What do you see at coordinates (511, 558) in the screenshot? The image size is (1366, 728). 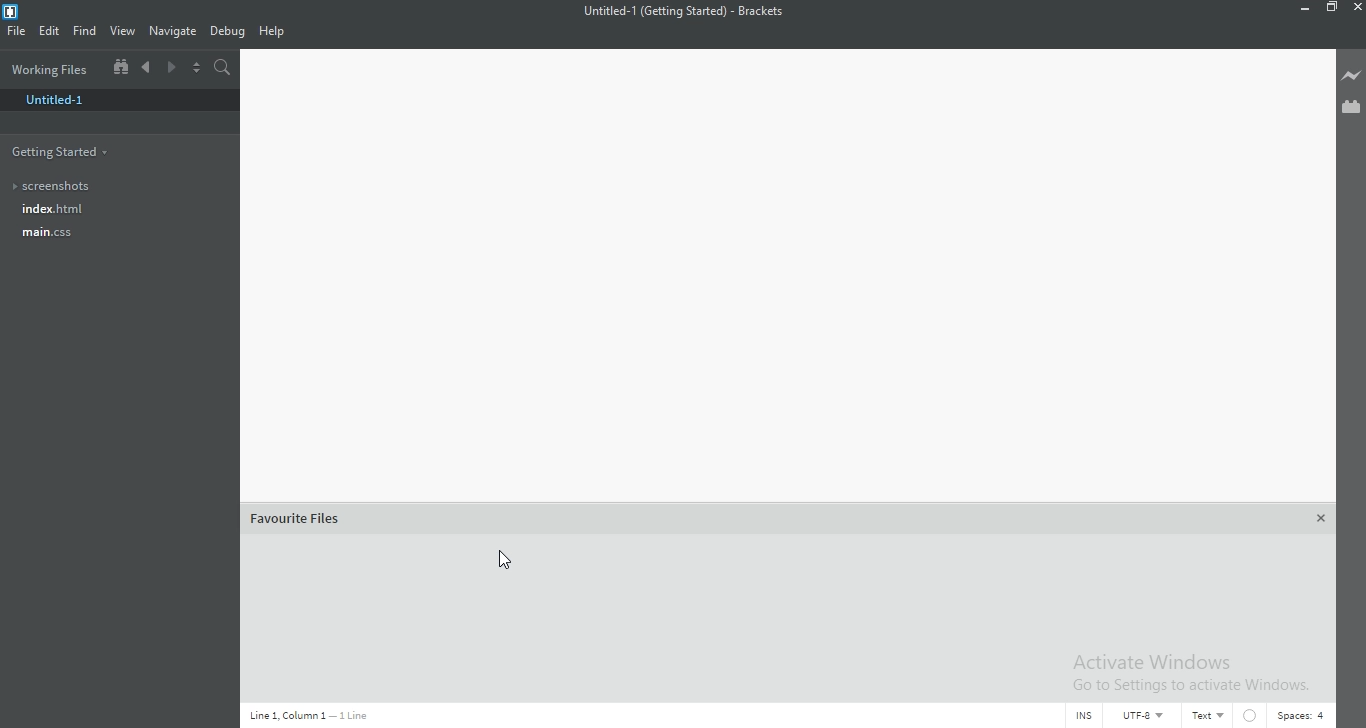 I see `cursor` at bounding box center [511, 558].